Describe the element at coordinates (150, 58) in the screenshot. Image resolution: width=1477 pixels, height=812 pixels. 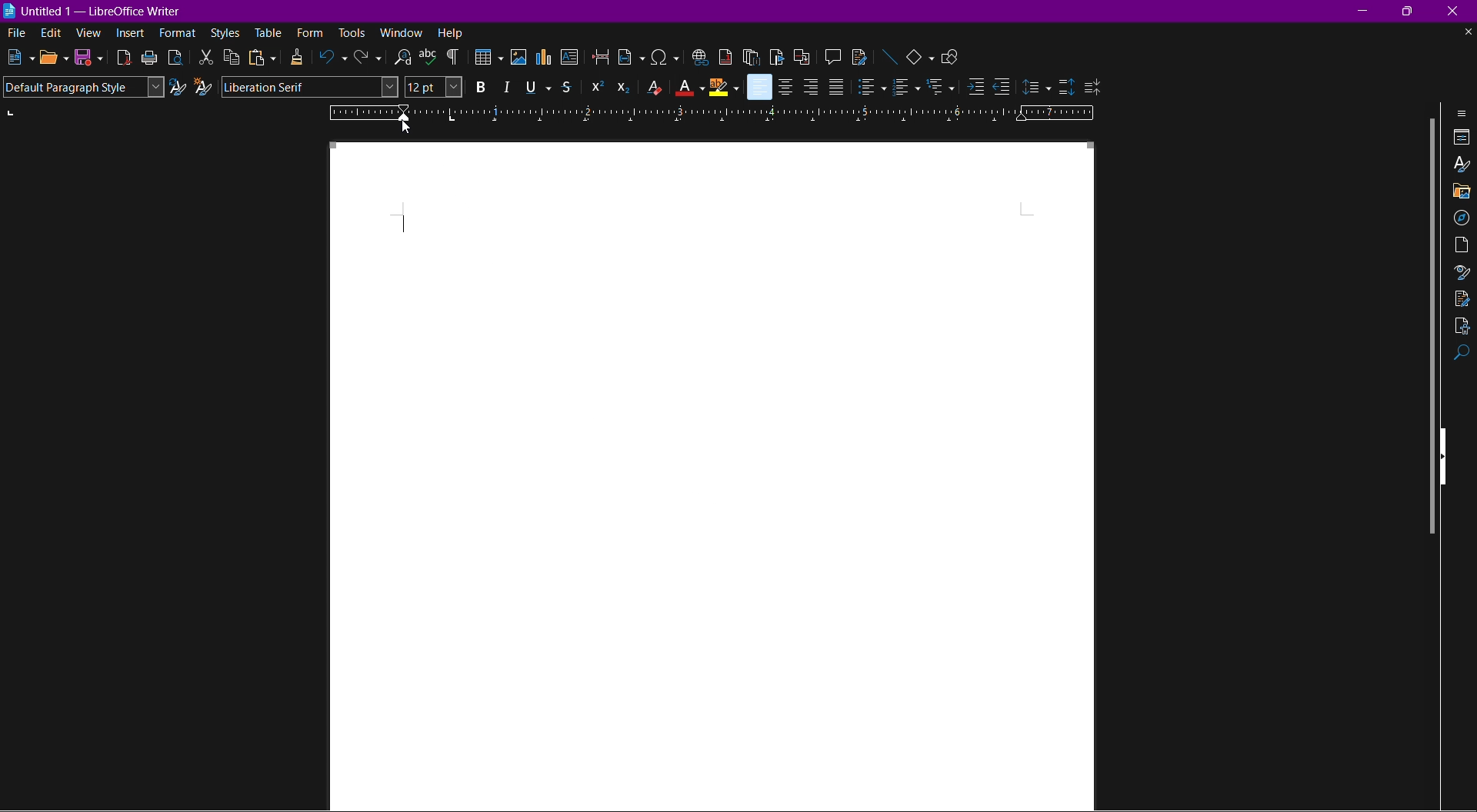
I see `Print` at that location.